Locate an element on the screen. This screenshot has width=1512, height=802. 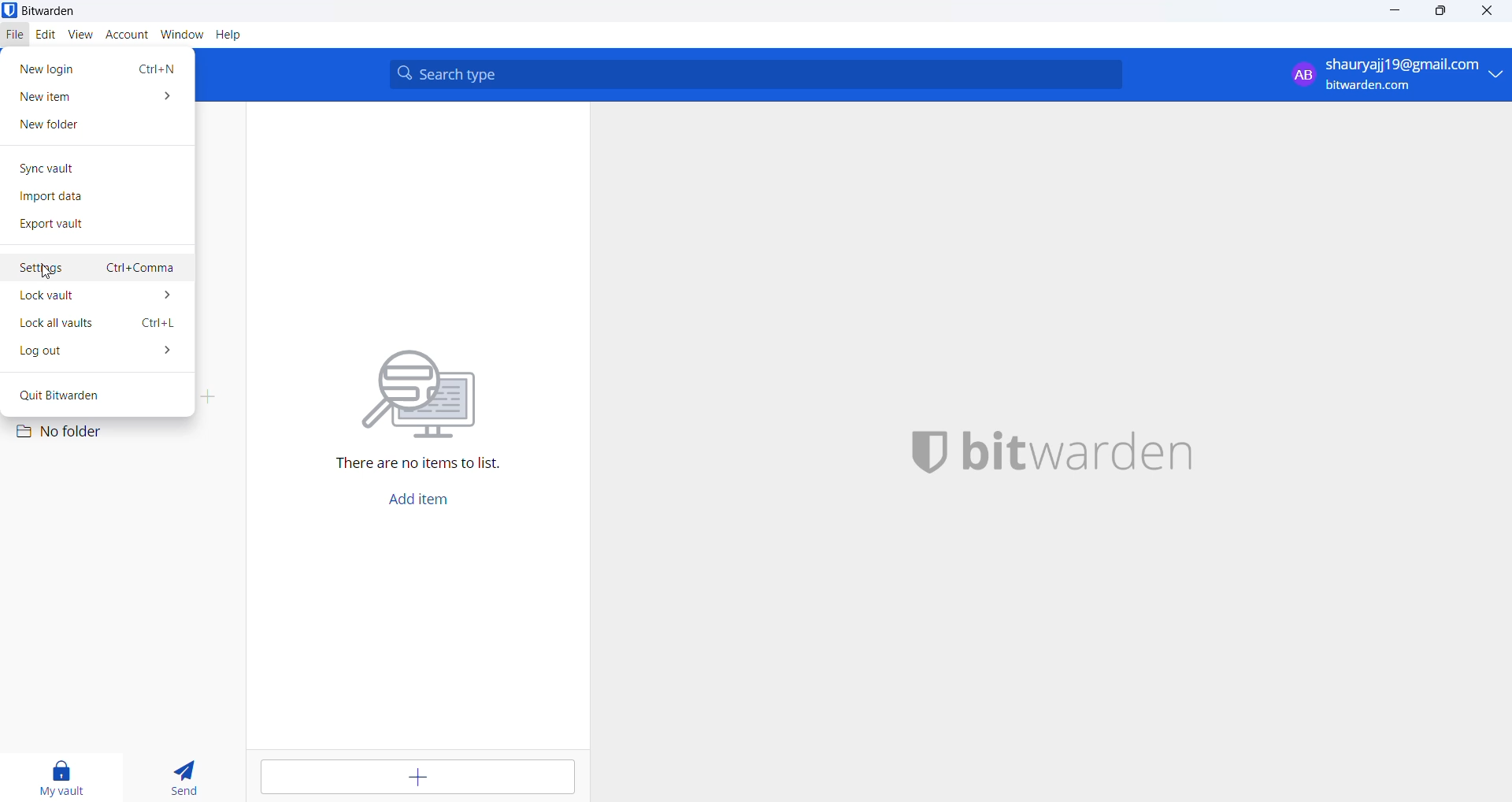
add item is located at coordinates (423, 780).